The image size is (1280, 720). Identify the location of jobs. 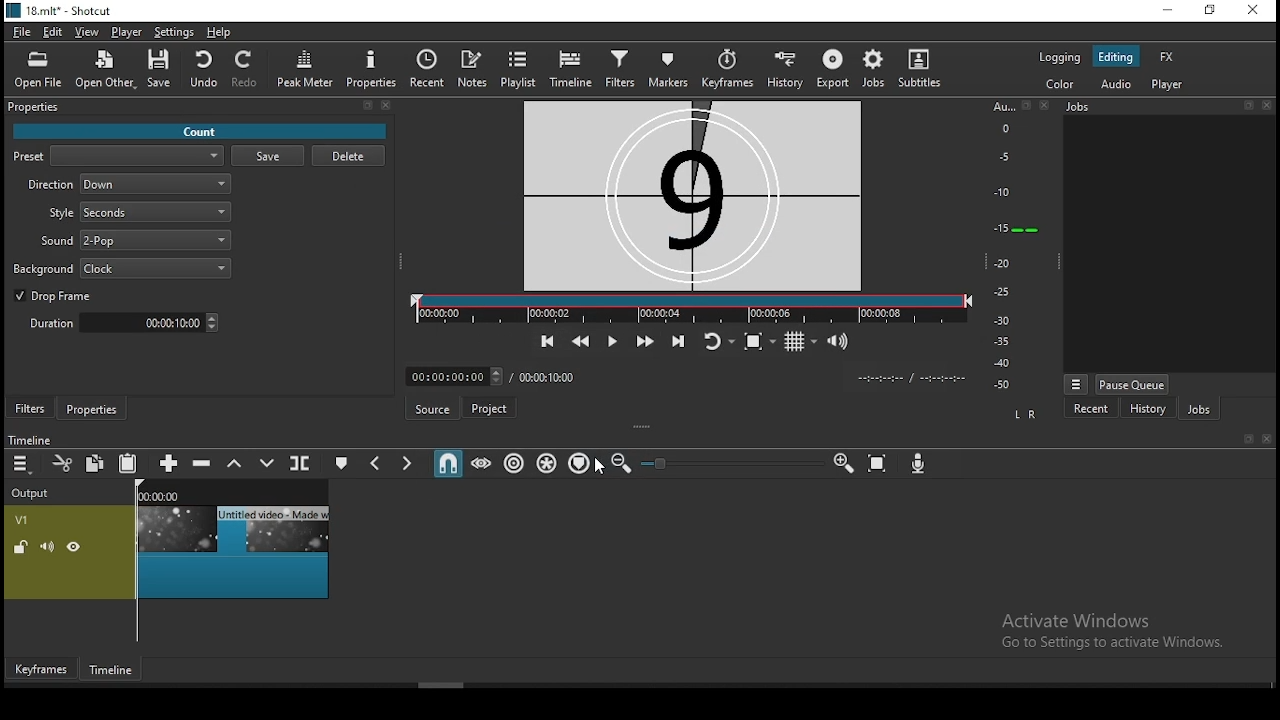
(875, 69).